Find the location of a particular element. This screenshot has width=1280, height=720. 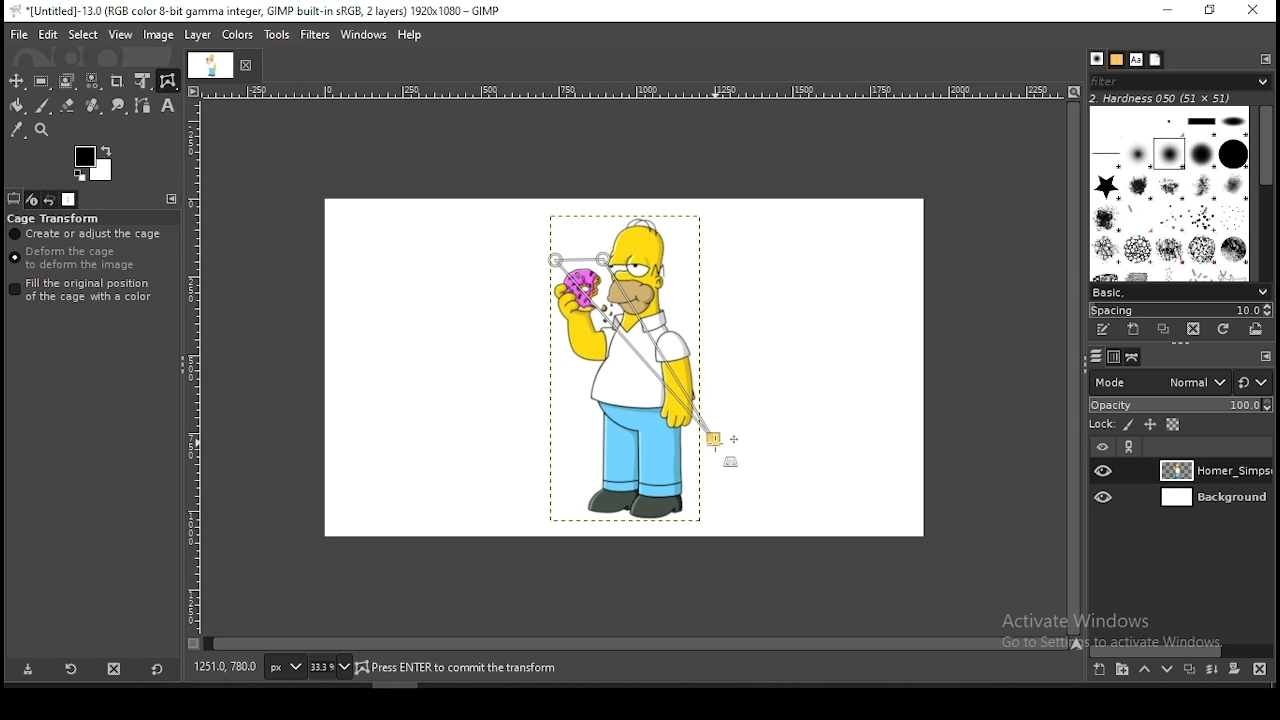

move layer one step down is located at coordinates (1168, 671).